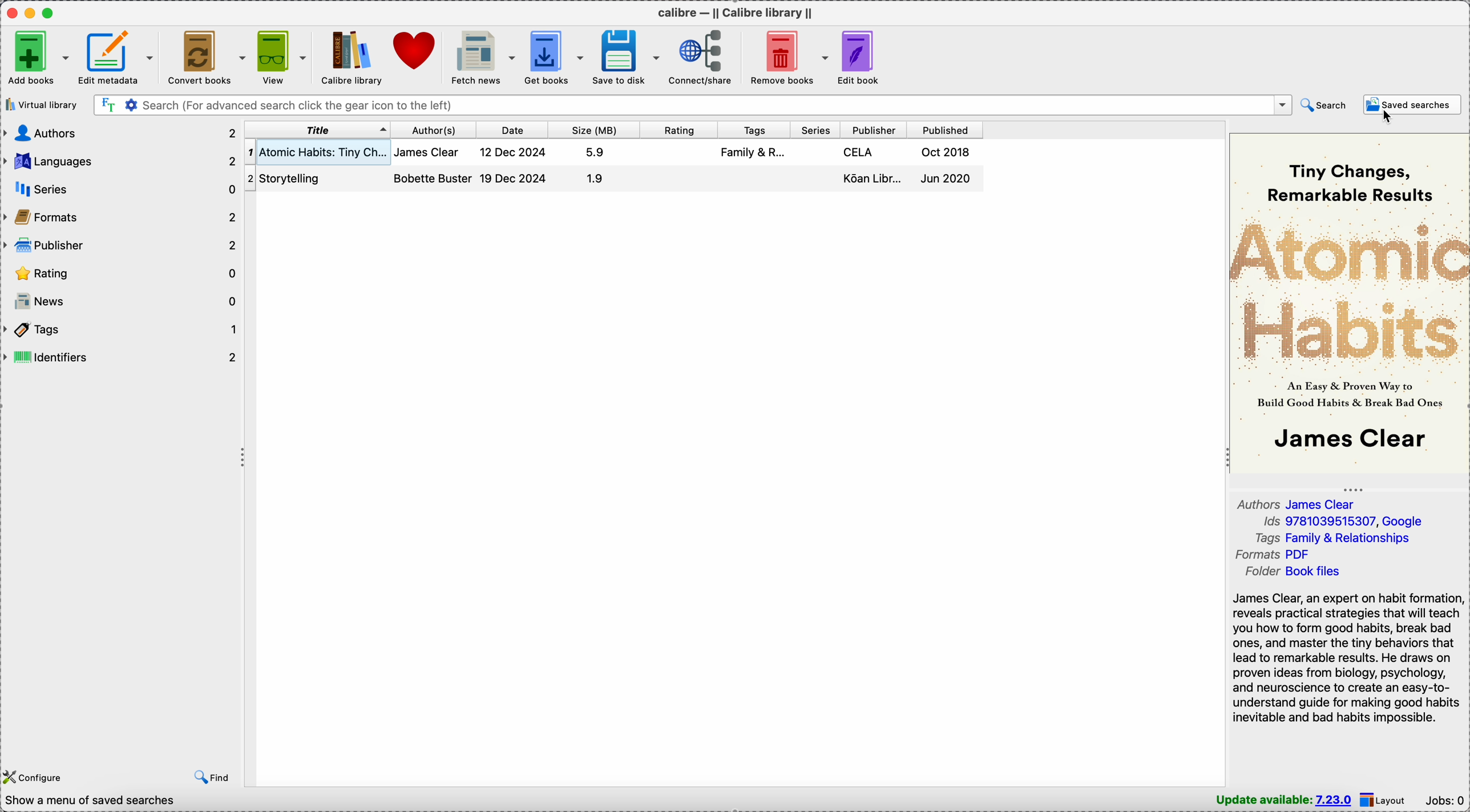 The width and height of the screenshot is (1470, 812). Describe the element at coordinates (122, 273) in the screenshot. I see `rating` at that location.